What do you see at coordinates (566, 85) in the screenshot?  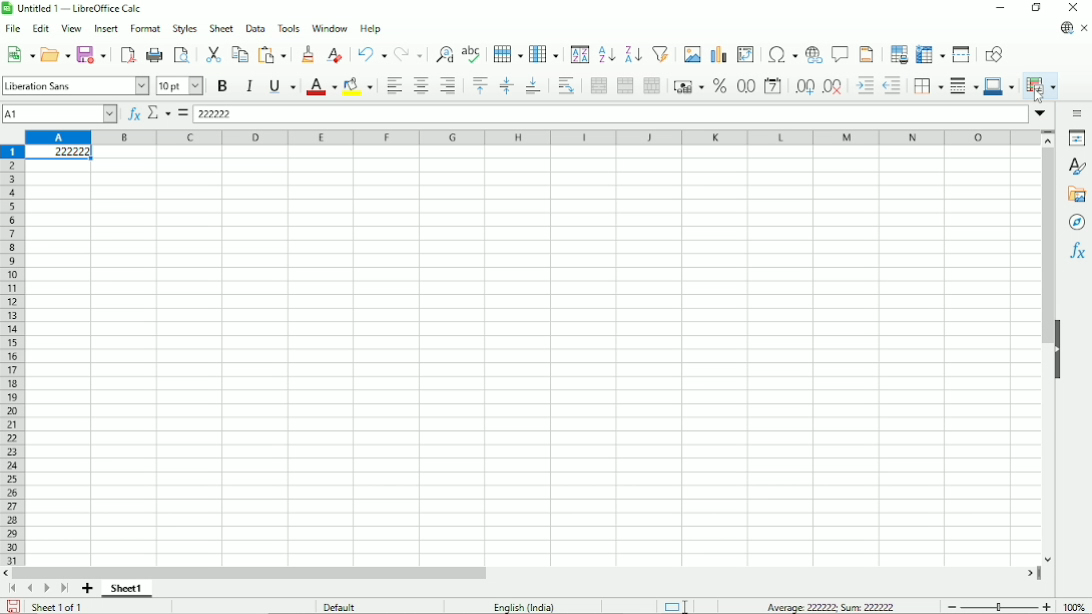 I see `Wrap text` at bounding box center [566, 85].